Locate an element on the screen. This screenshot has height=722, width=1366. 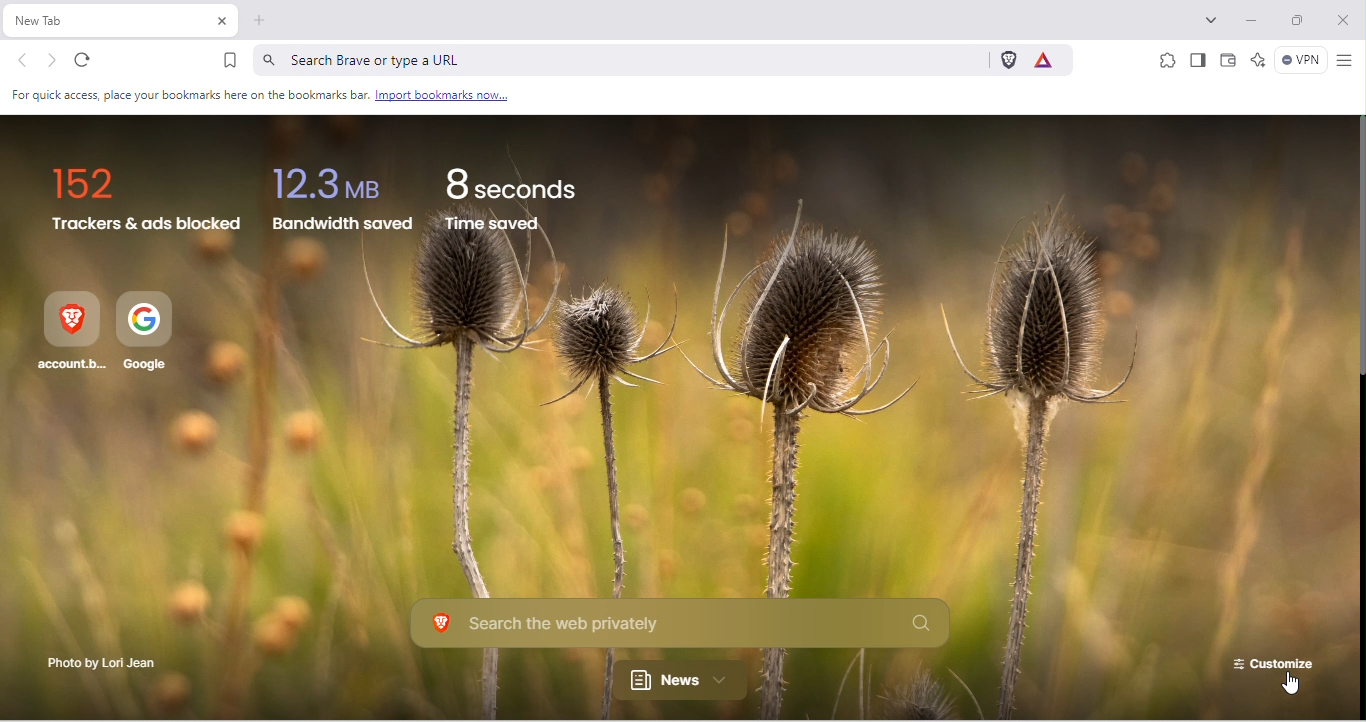
New tab is located at coordinates (260, 24).